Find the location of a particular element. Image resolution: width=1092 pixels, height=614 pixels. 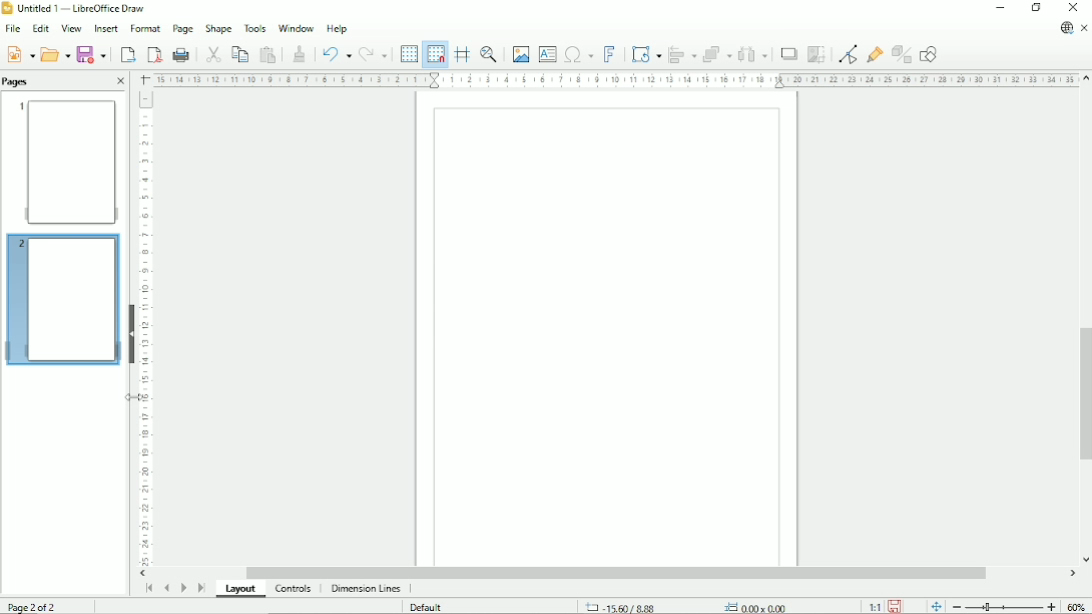

Insert is located at coordinates (104, 29).